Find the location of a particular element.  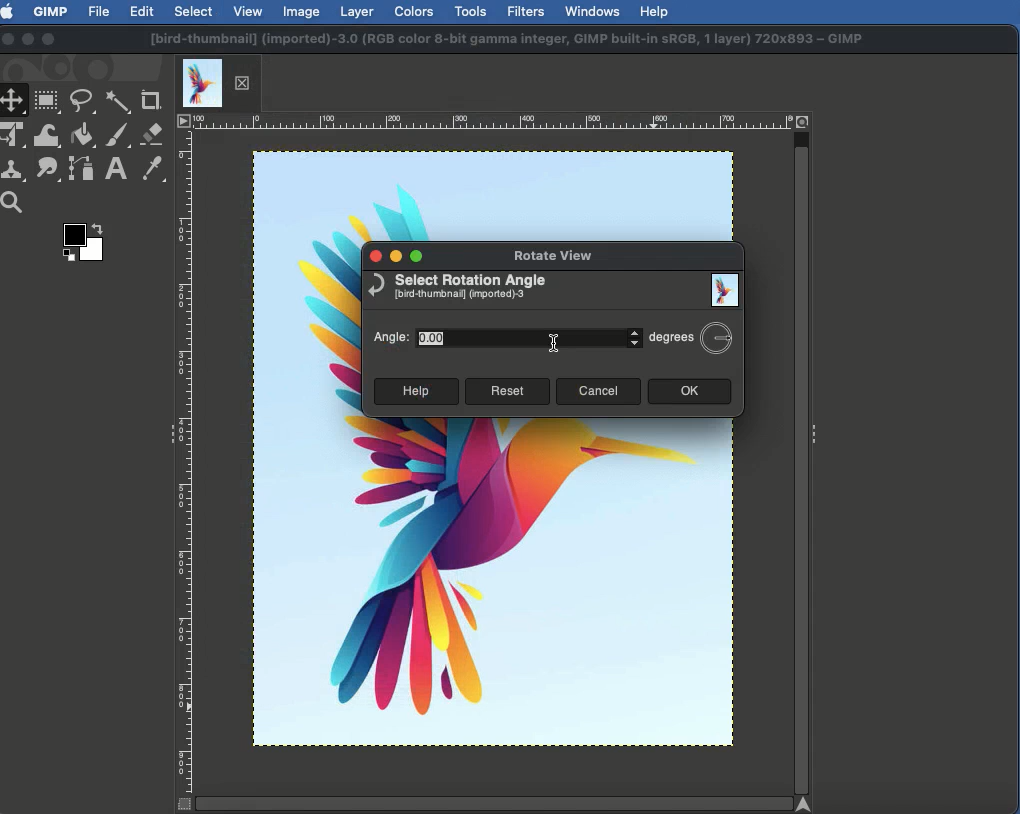

Freeform selector is located at coordinates (84, 104).